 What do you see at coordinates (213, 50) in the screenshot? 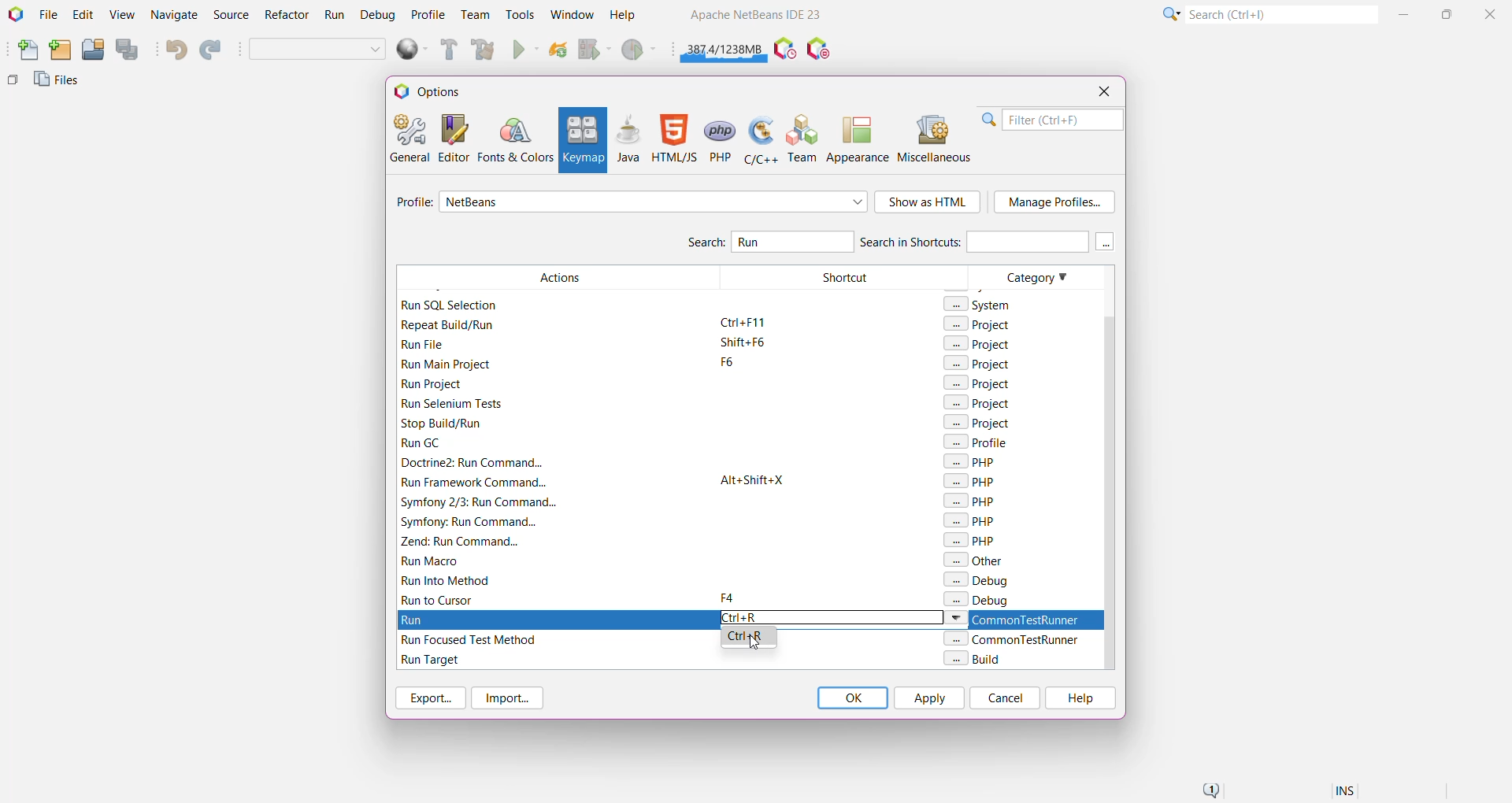
I see `Redo` at bounding box center [213, 50].